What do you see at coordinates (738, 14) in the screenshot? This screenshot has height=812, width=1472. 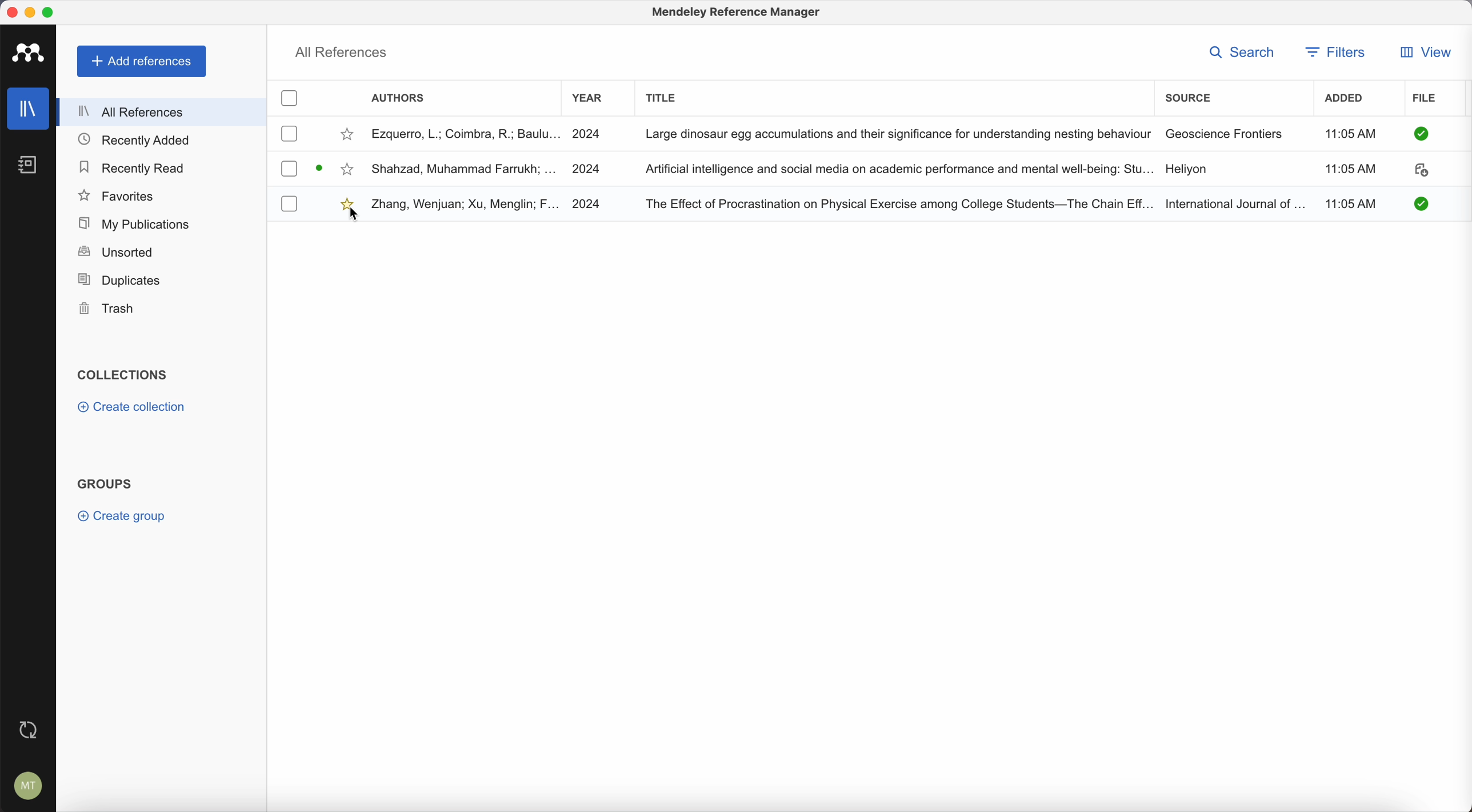 I see `Mendeley reference manager` at bounding box center [738, 14].